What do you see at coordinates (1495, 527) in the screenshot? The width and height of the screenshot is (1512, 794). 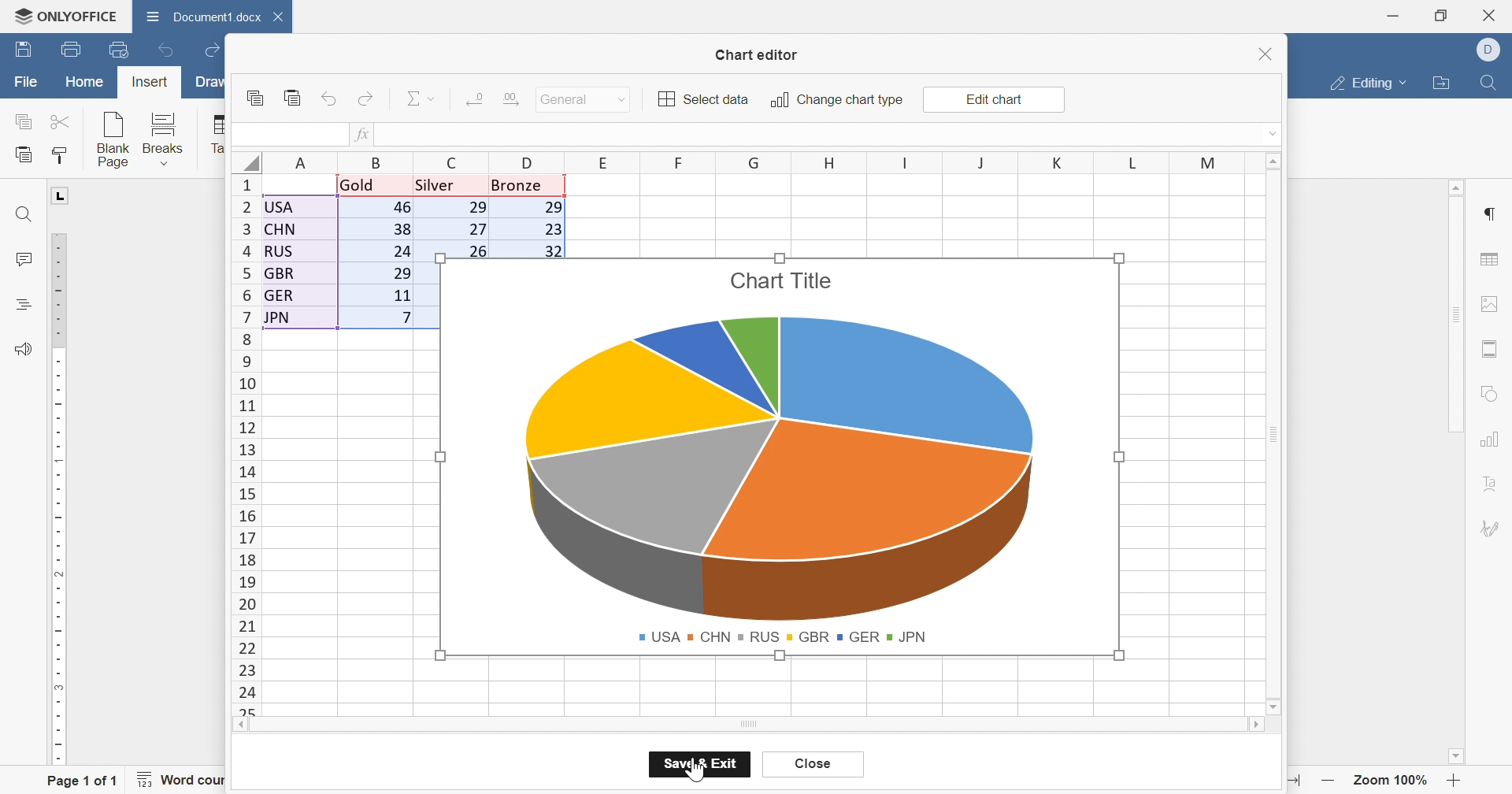 I see `Signature settings` at bounding box center [1495, 527].